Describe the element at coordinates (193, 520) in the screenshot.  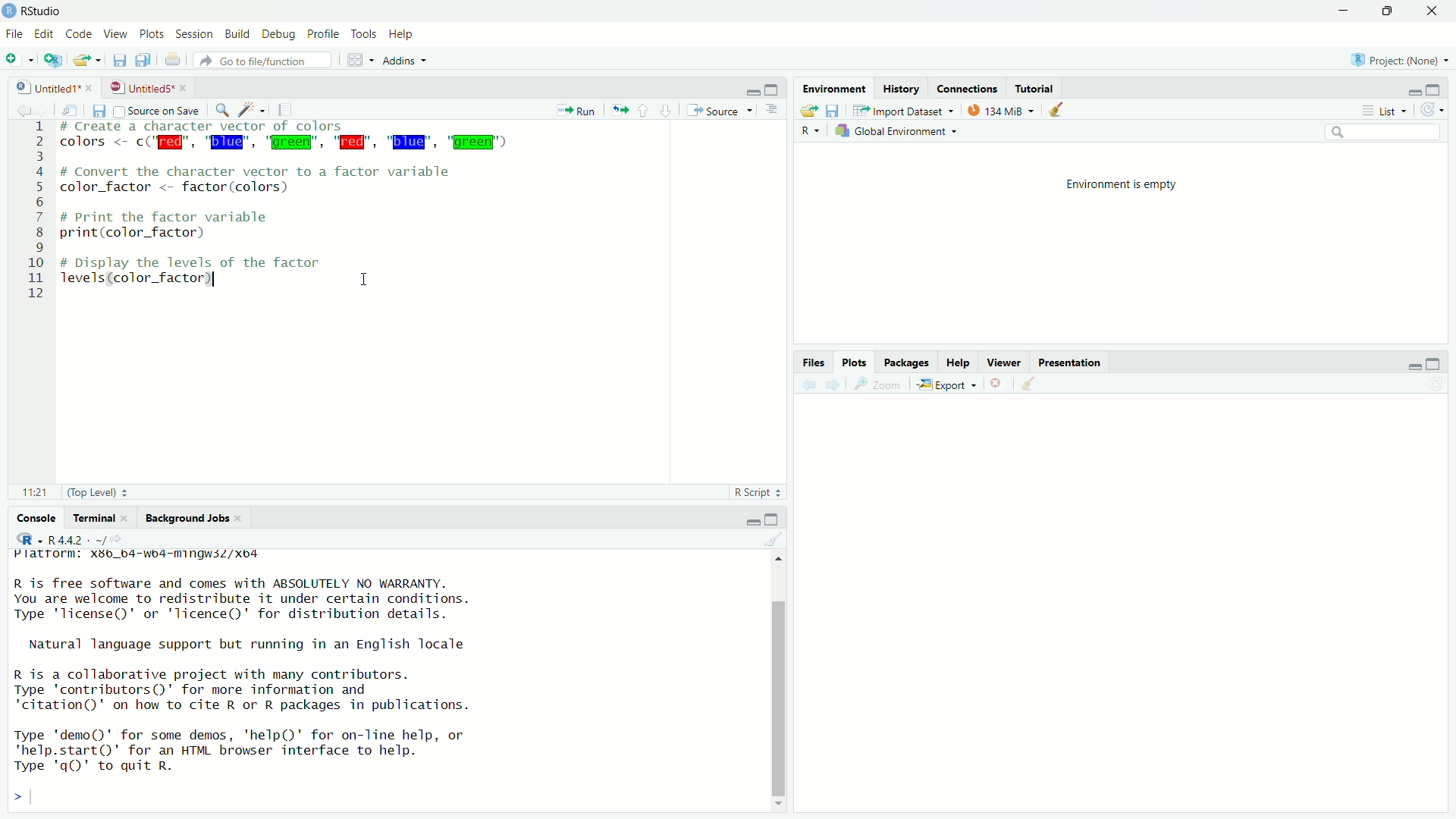
I see `background jobs` at that location.